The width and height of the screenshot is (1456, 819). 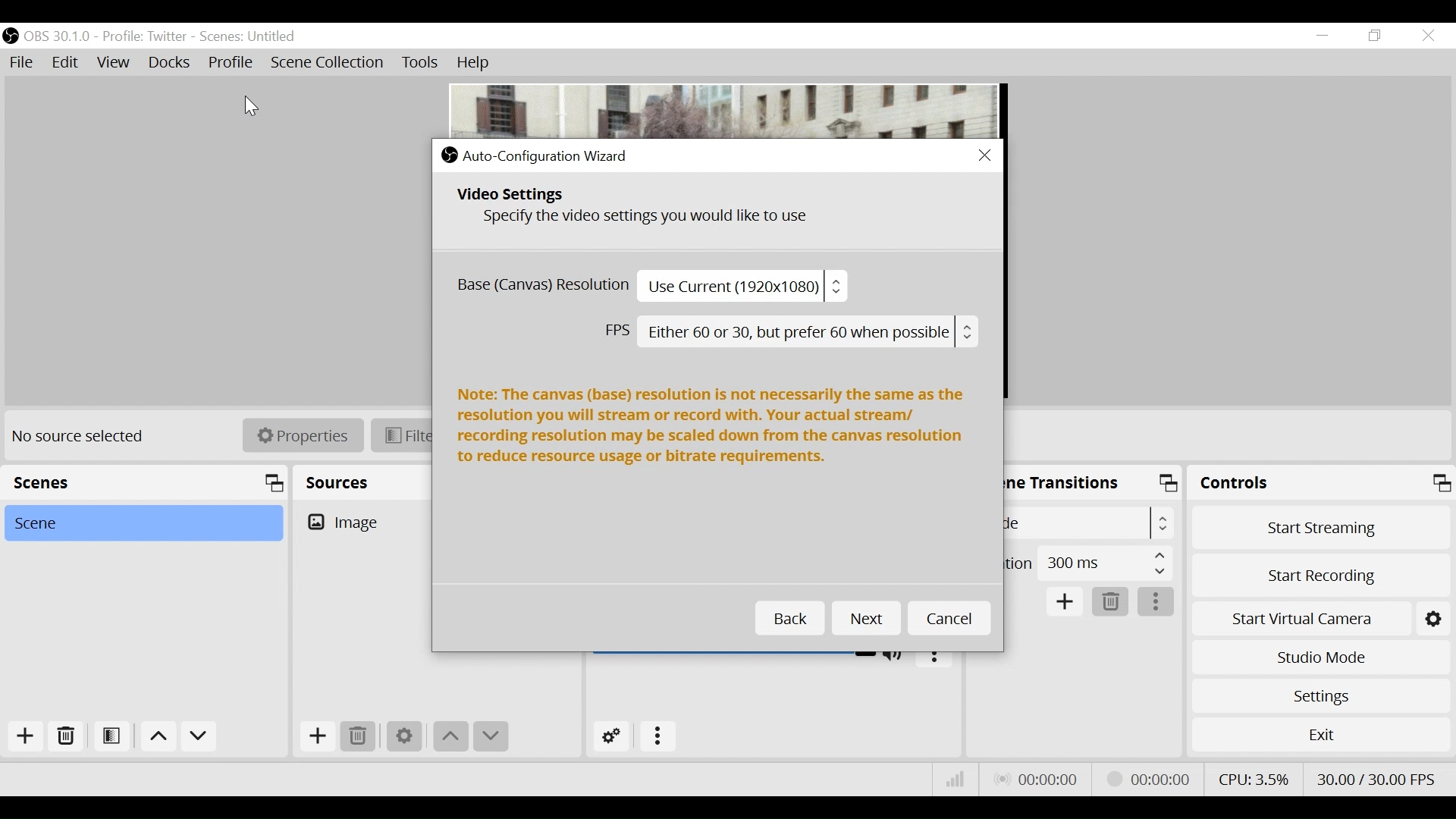 What do you see at coordinates (1320, 696) in the screenshot?
I see `Settings ` at bounding box center [1320, 696].